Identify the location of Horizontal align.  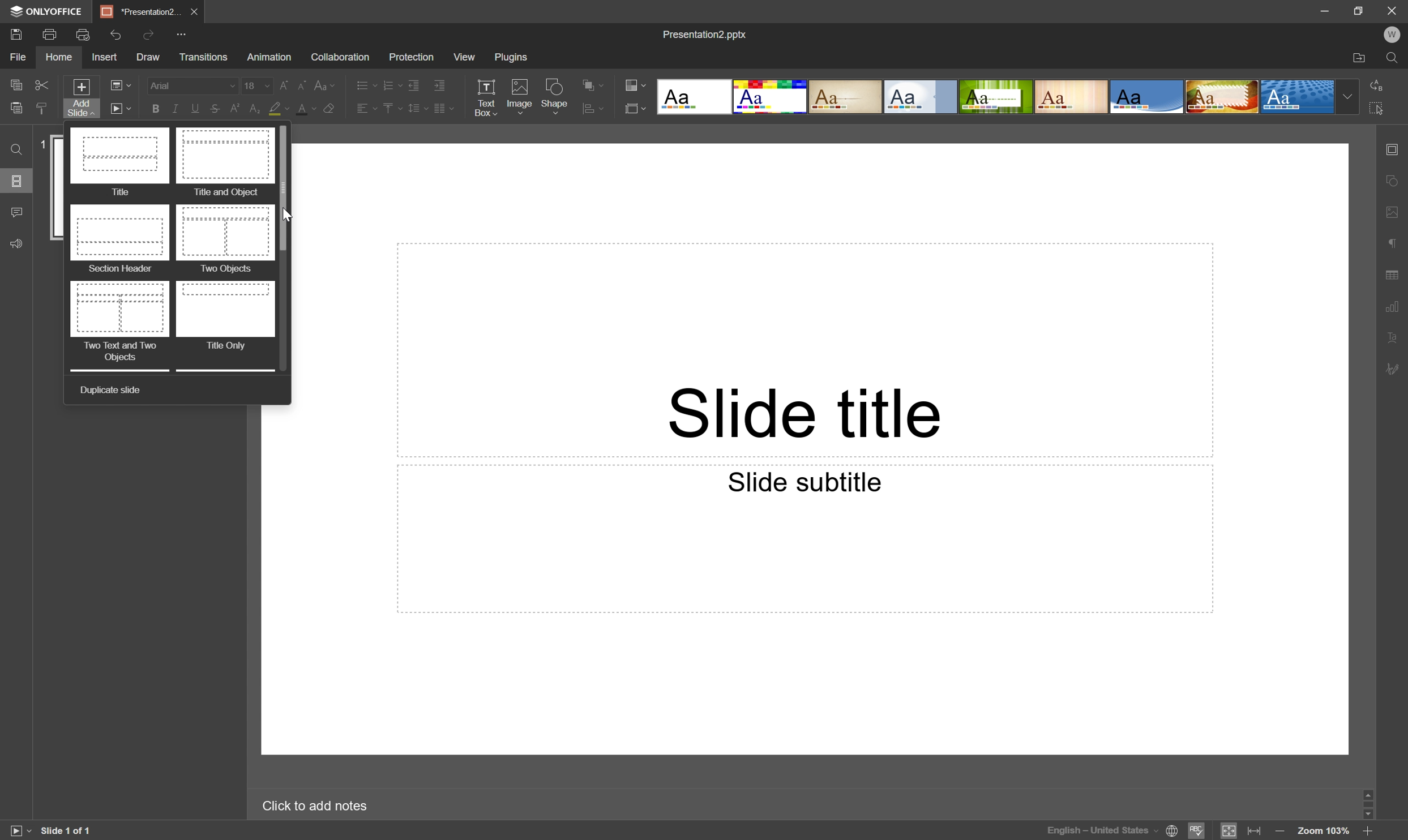
(360, 108).